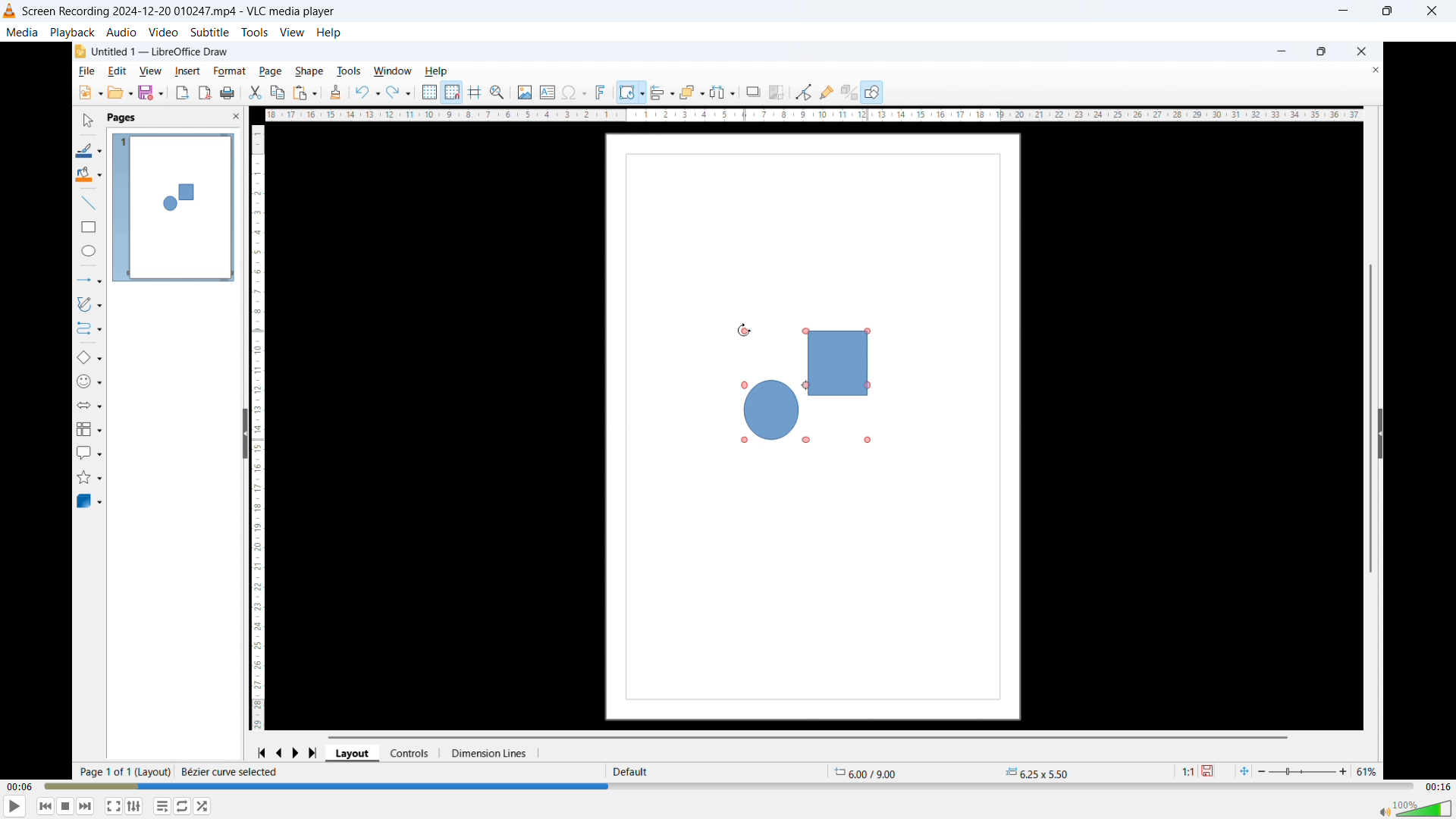  I want to click on Screen Recording 2024-12-20 010247.mp4 - VLC media player, so click(181, 12).